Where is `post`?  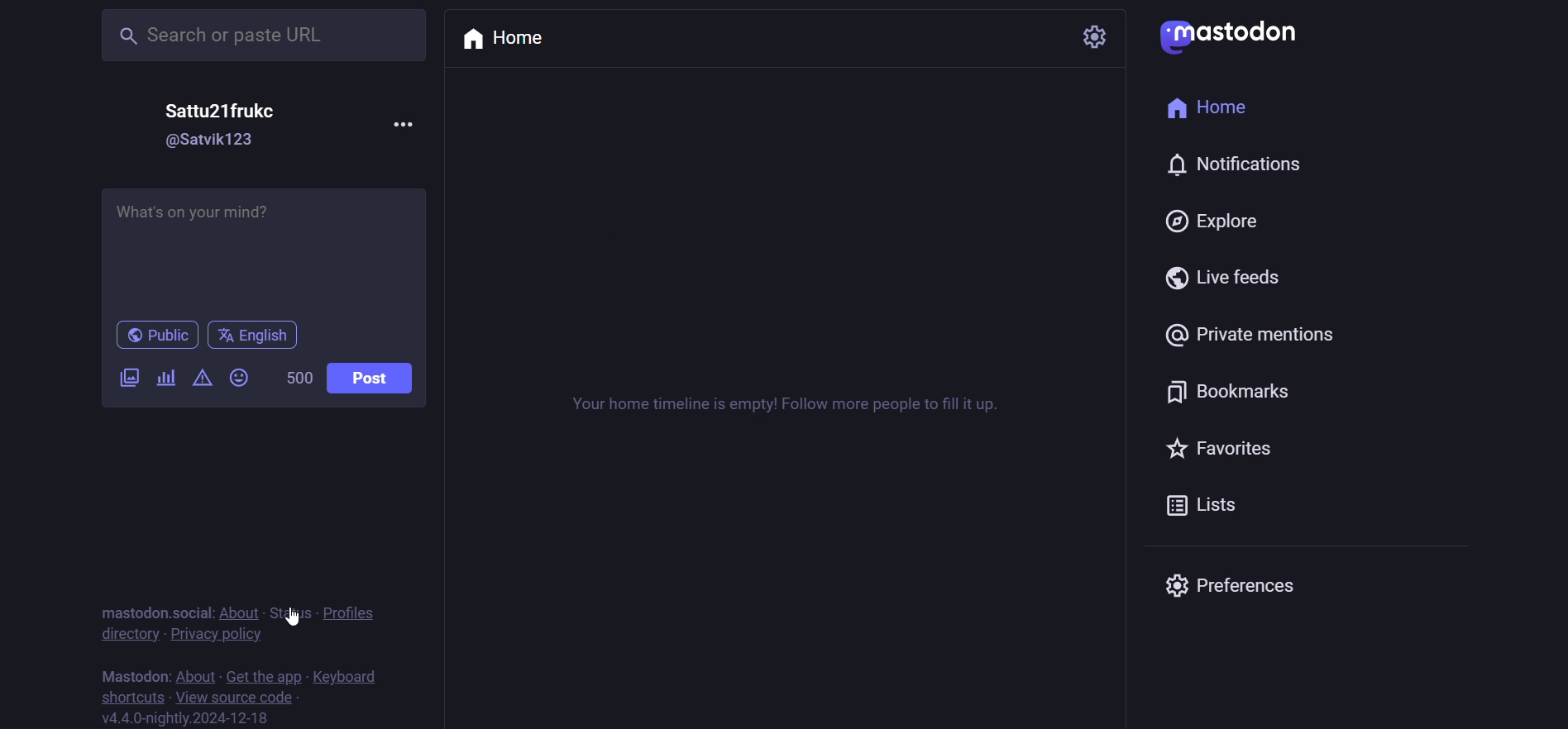 post is located at coordinates (380, 379).